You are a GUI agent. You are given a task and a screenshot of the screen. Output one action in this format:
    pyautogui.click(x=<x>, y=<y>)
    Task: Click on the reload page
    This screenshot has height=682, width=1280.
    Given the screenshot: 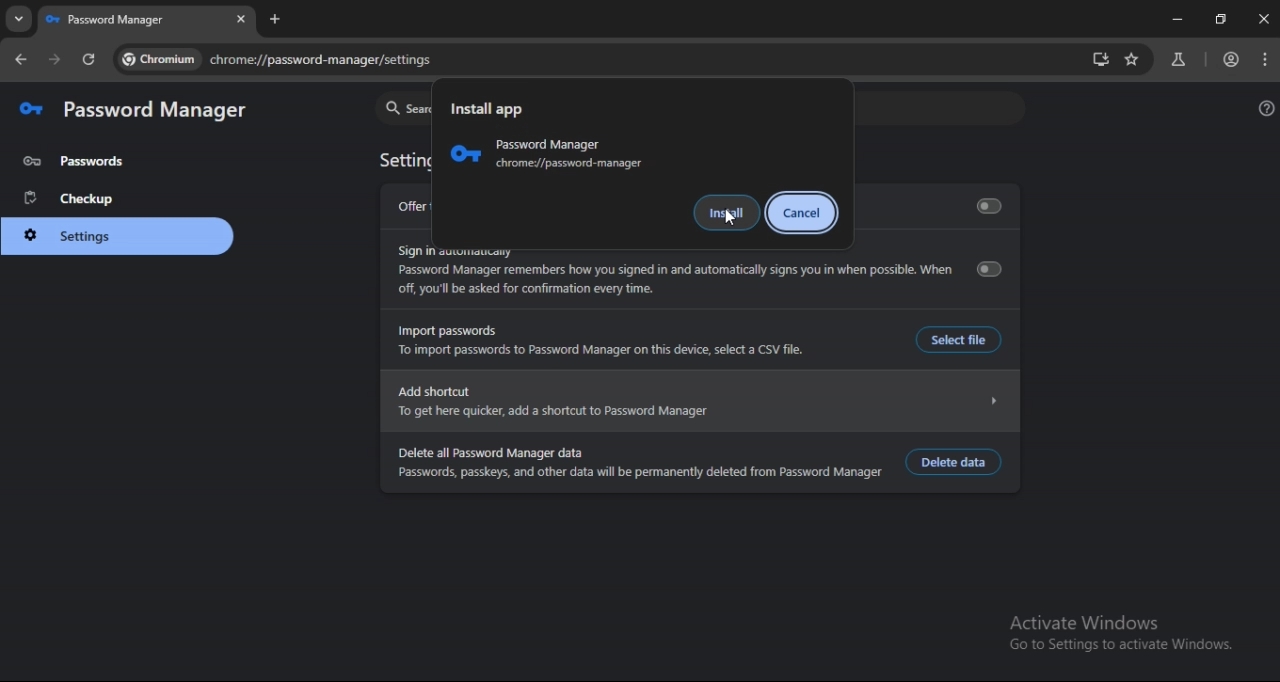 What is the action you would take?
    pyautogui.click(x=90, y=63)
    